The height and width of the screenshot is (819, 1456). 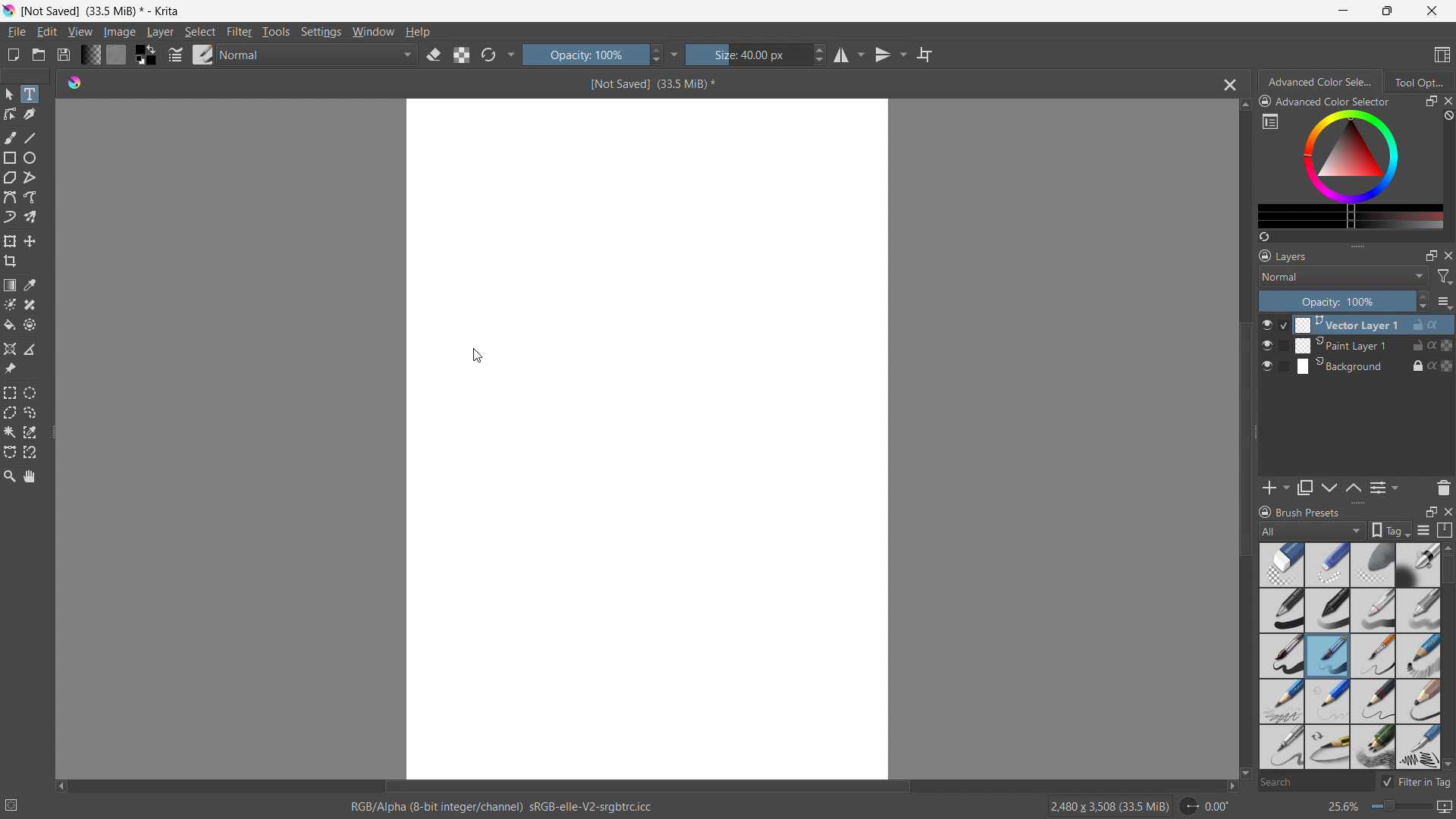 What do you see at coordinates (1447, 764) in the screenshot?
I see `scroll down` at bounding box center [1447, 764].